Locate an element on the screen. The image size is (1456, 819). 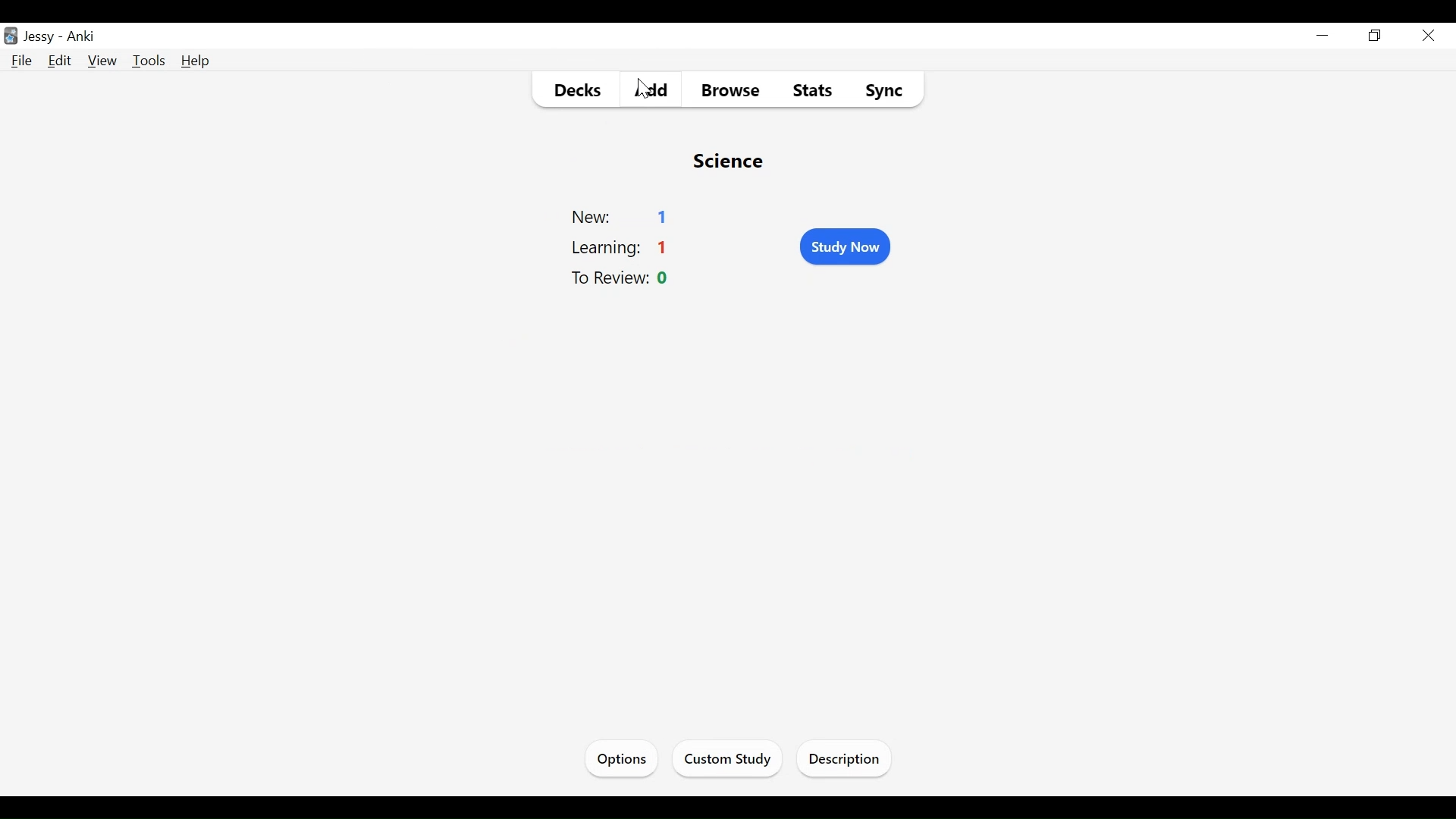
Description is located at coordinates (848, 761).